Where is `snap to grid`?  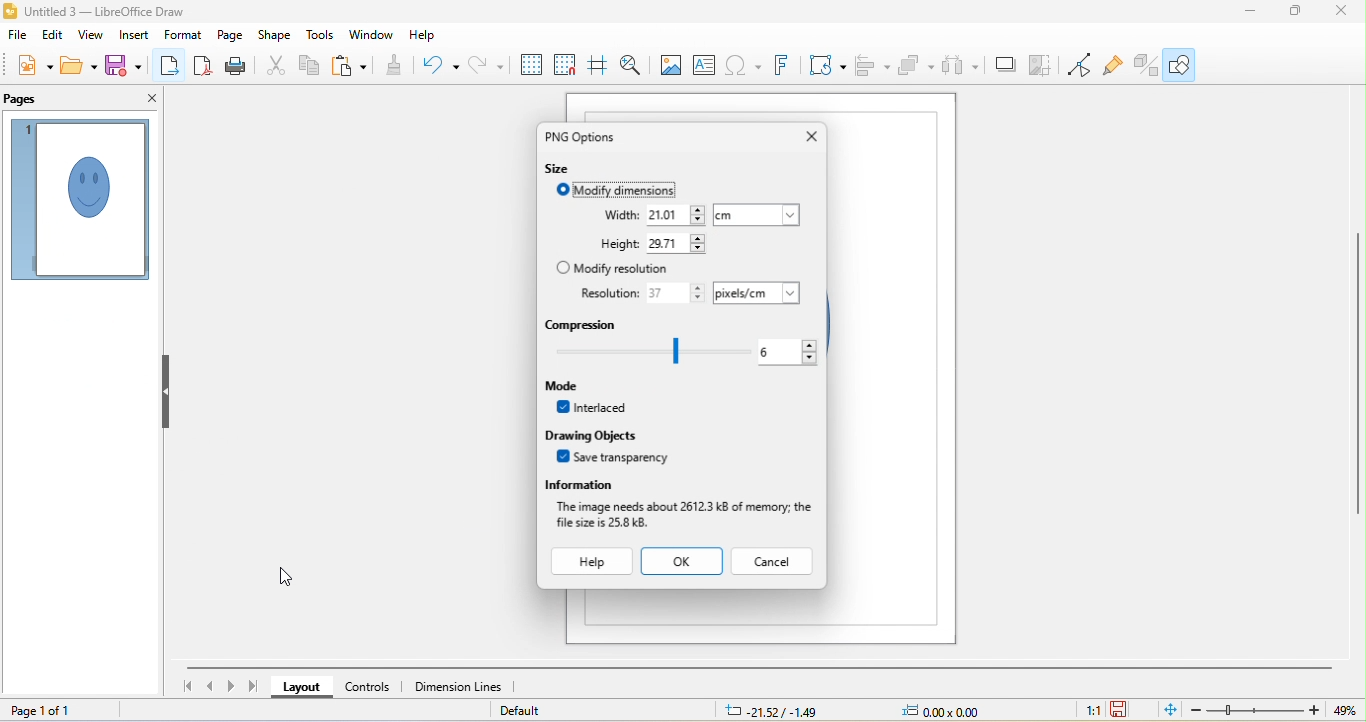
snap to grid is located at coordinates (563, 64).